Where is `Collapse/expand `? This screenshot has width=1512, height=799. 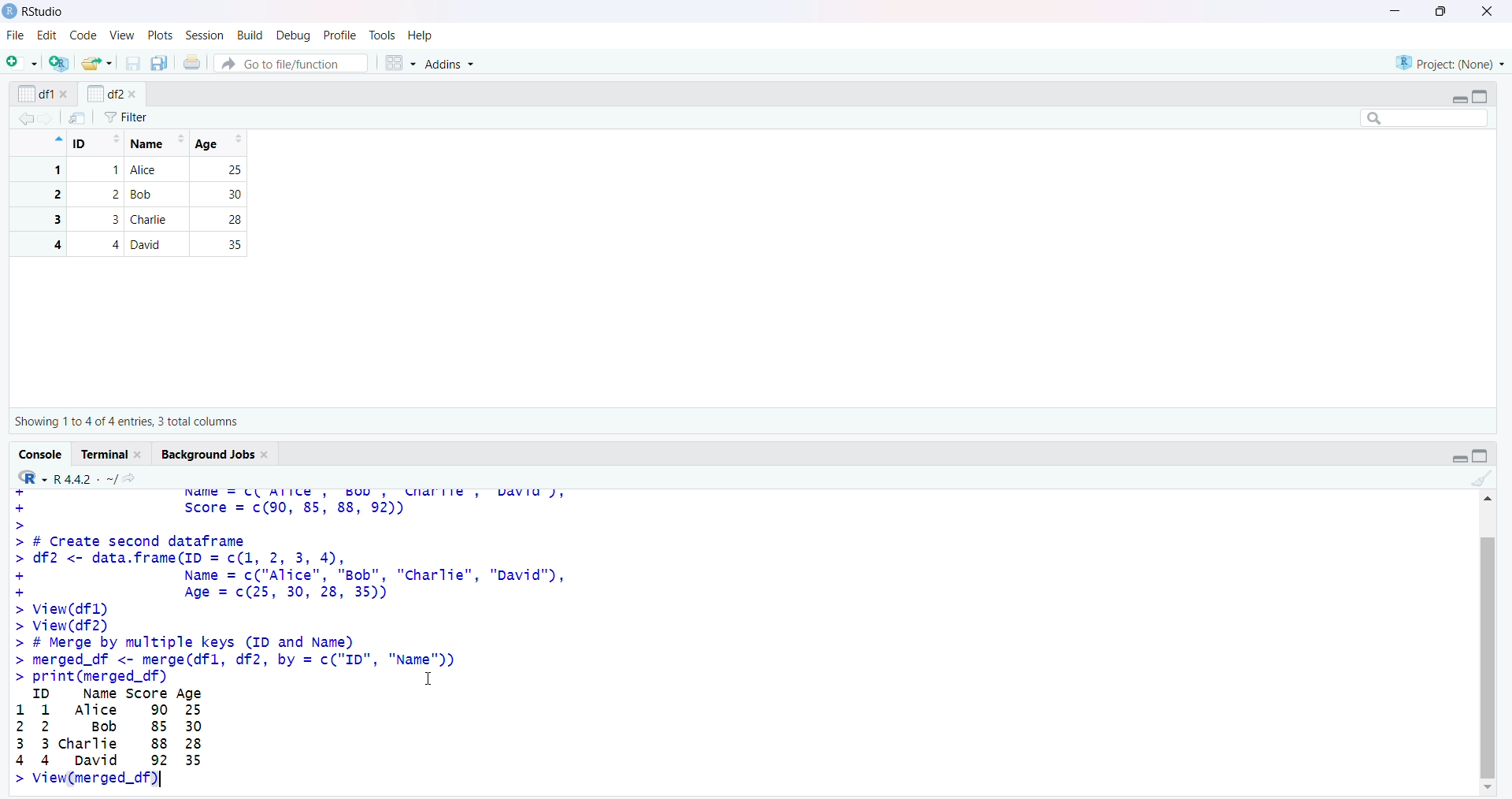
Collapse/expand  is located at coordinates (1459, 459).